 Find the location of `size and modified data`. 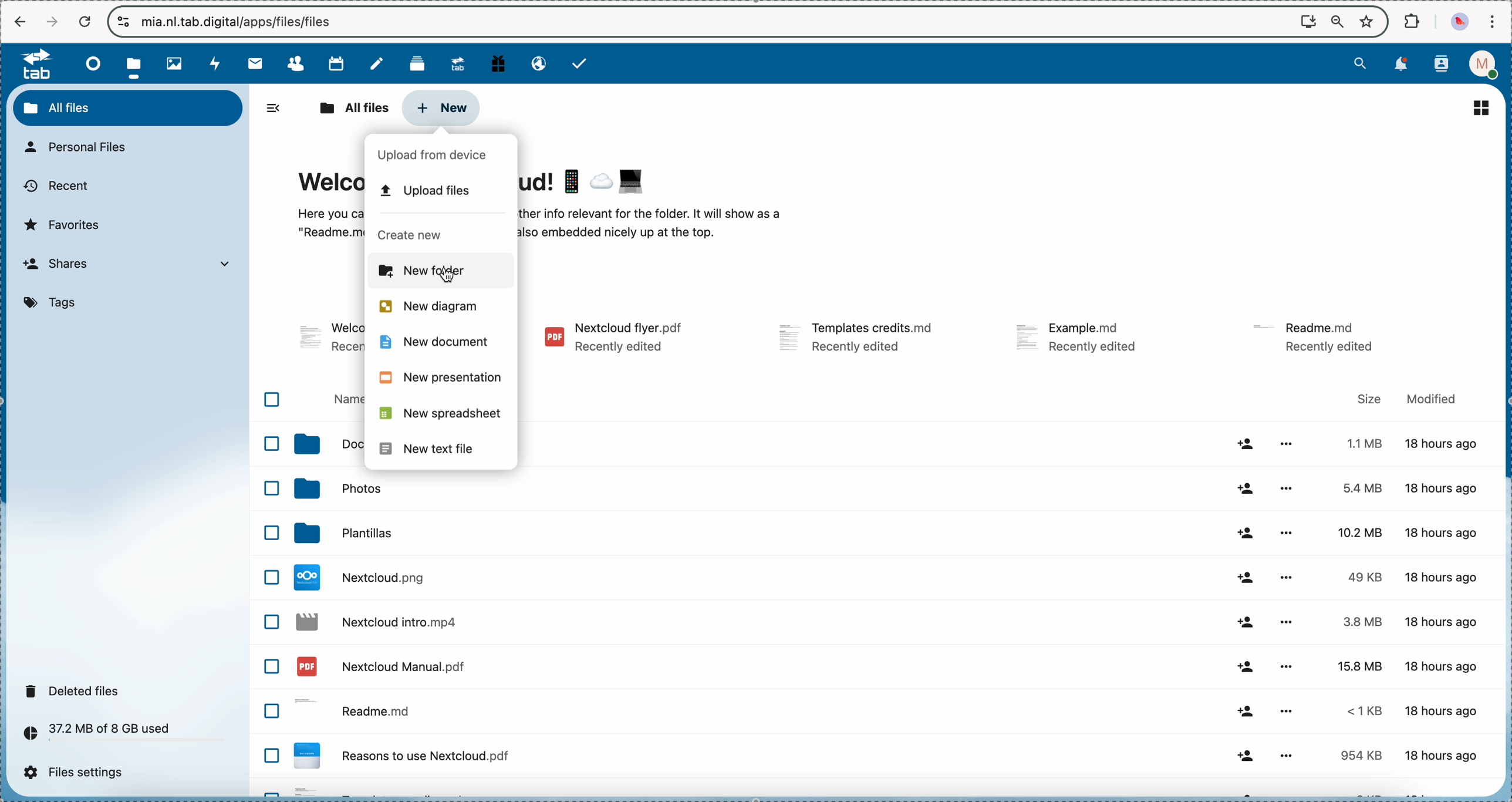

size and modified data is located at coordinates (1414, 601).